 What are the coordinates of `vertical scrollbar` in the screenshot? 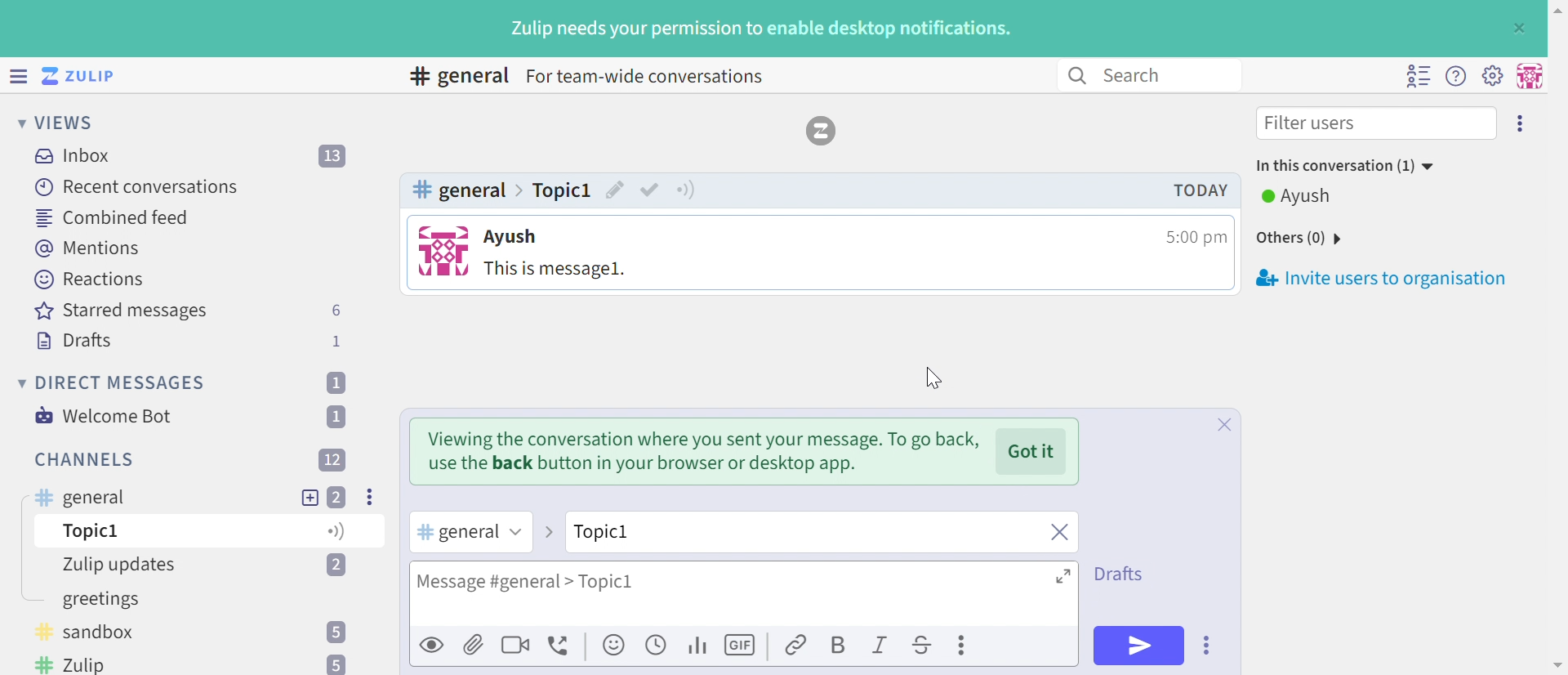 It's located at (1558, 288).